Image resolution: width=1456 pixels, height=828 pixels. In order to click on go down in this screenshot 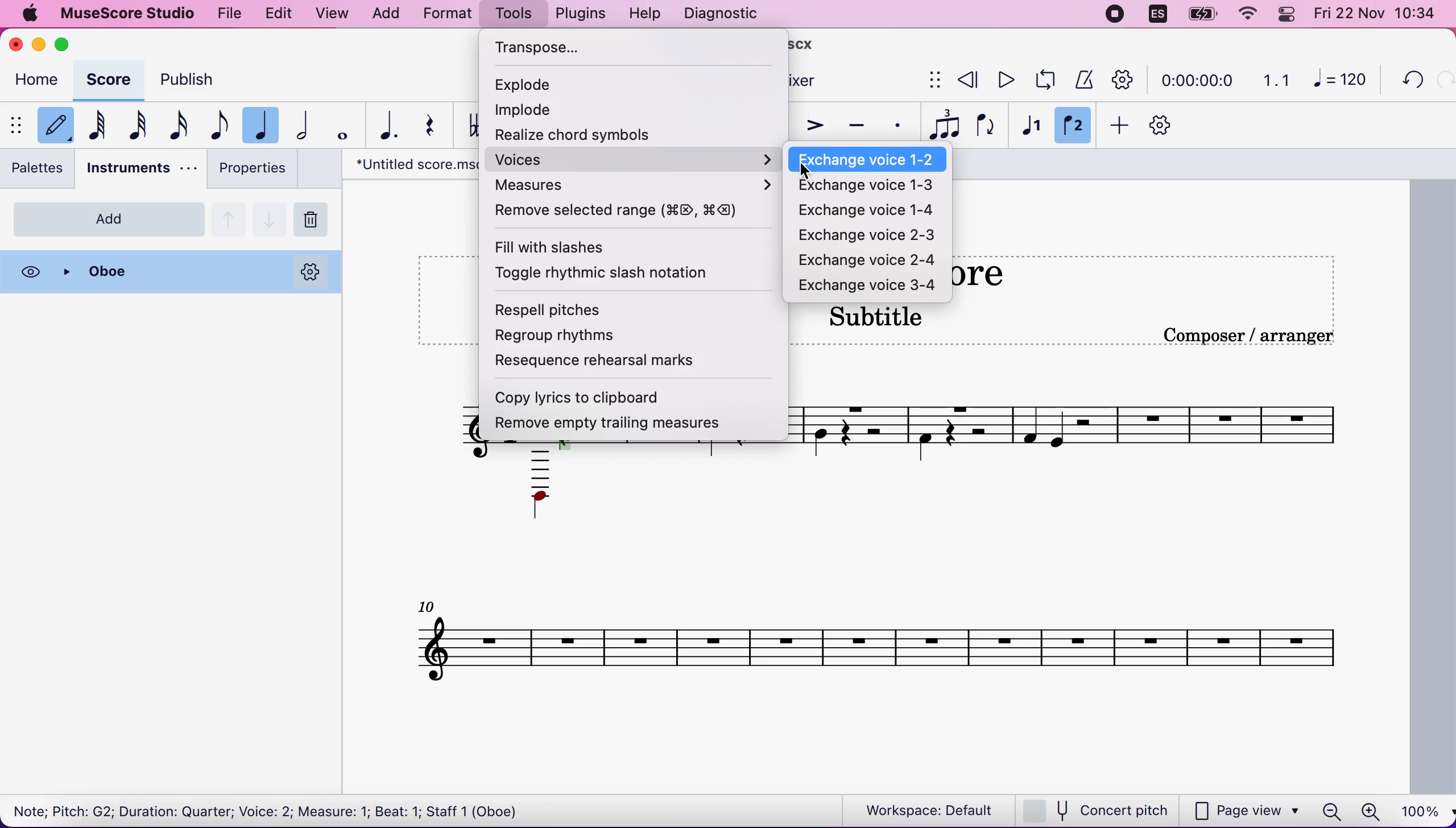, I will do `click(270, 218)`.